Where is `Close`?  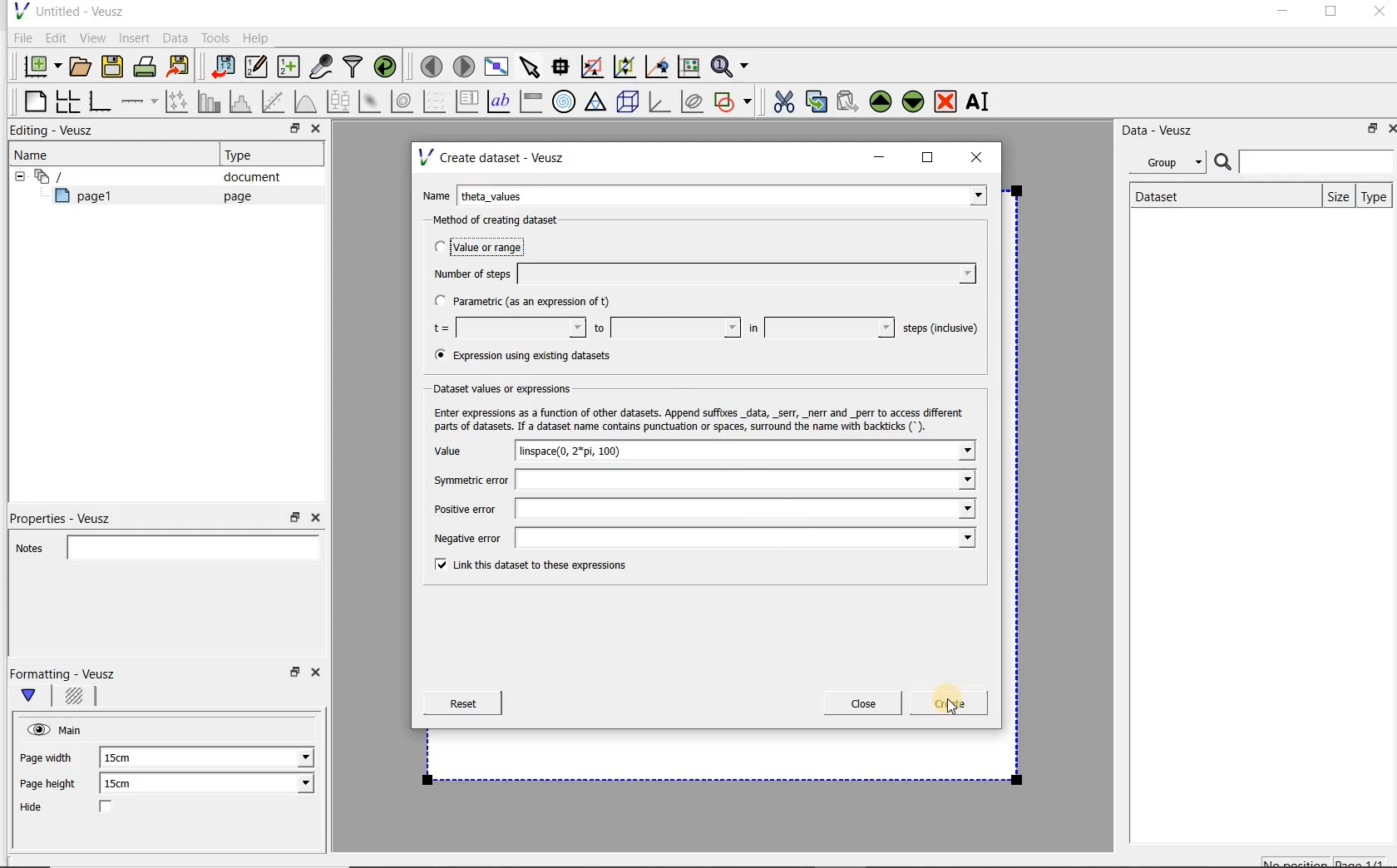
Close is located at coordinates (314, 518).